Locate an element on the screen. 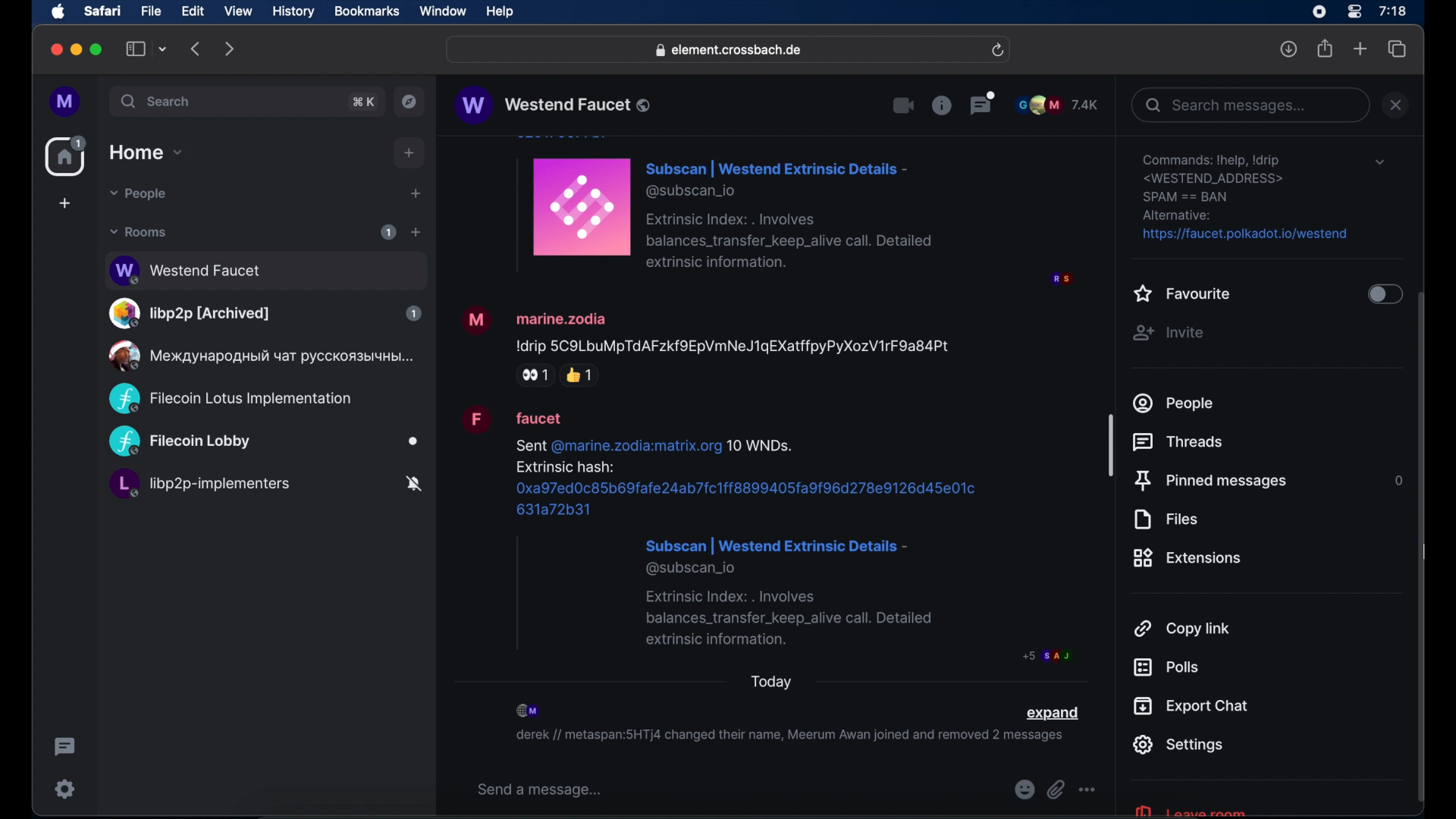 The height and width of the screenshot is (819, 1456). 0 is located at coordinates (1396, 480).